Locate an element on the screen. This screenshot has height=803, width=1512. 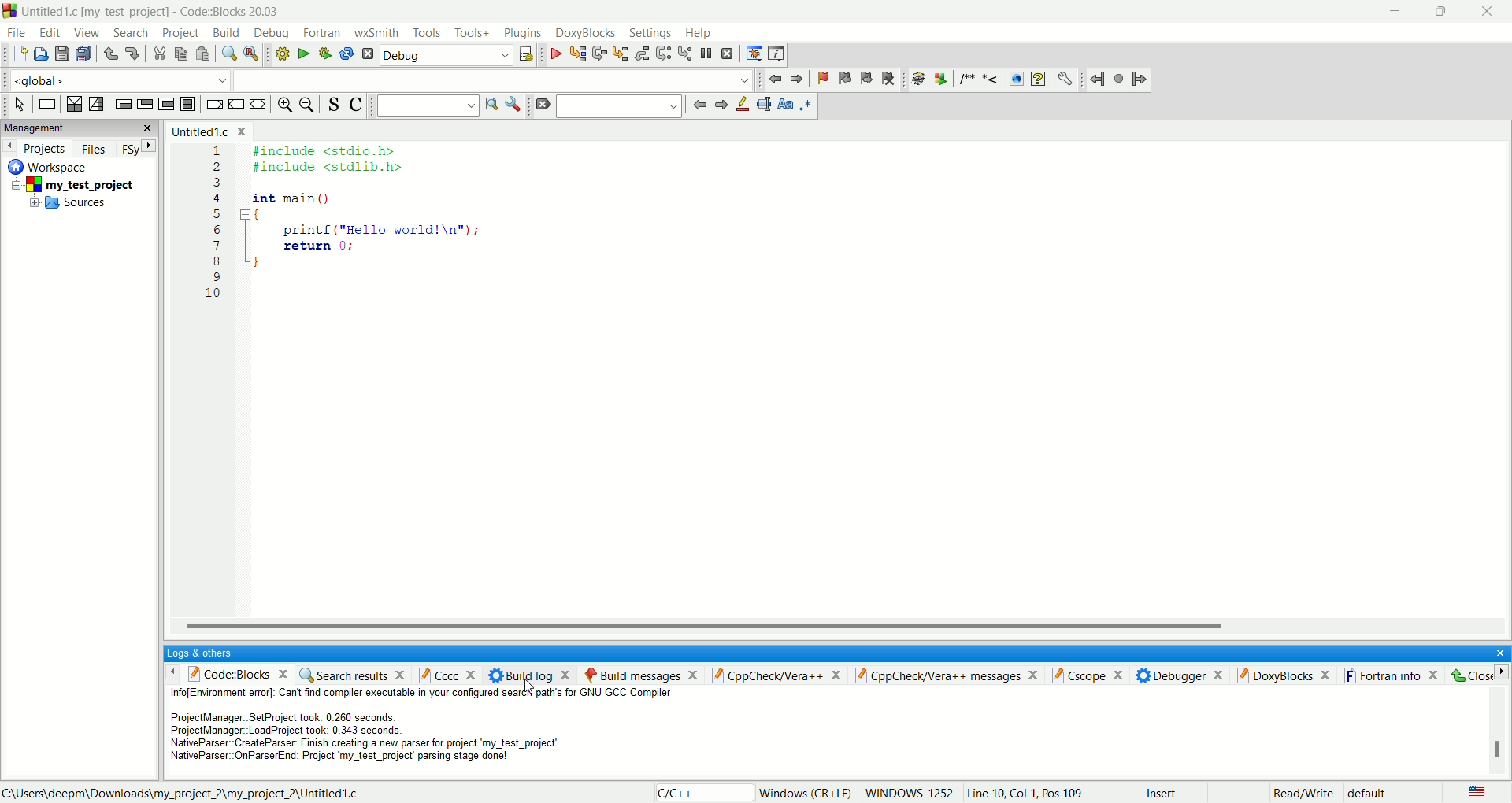
debug is located at coordinates (553, 54).